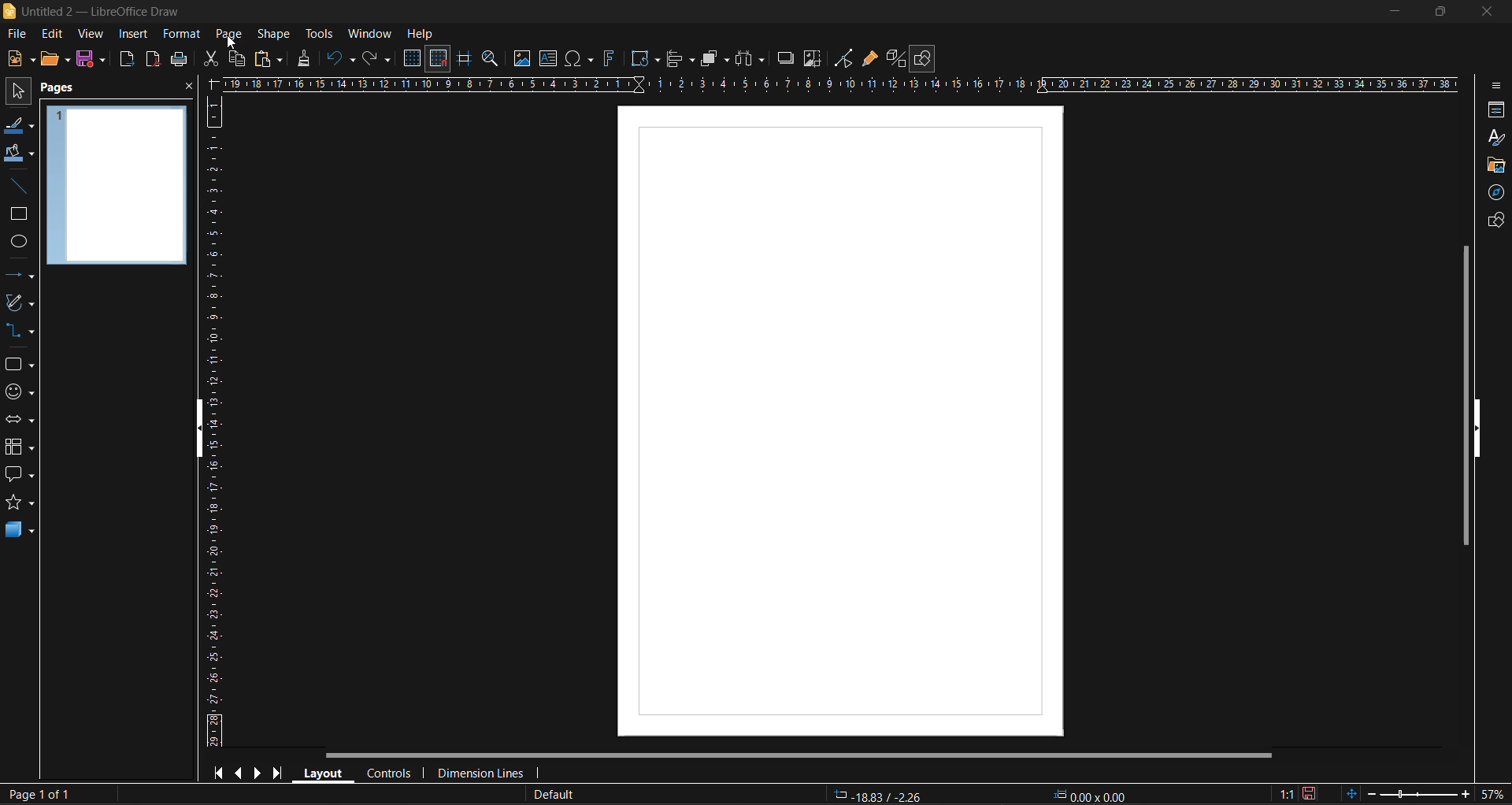  I want to click on vertical scroll bar, so click(1460, 395).